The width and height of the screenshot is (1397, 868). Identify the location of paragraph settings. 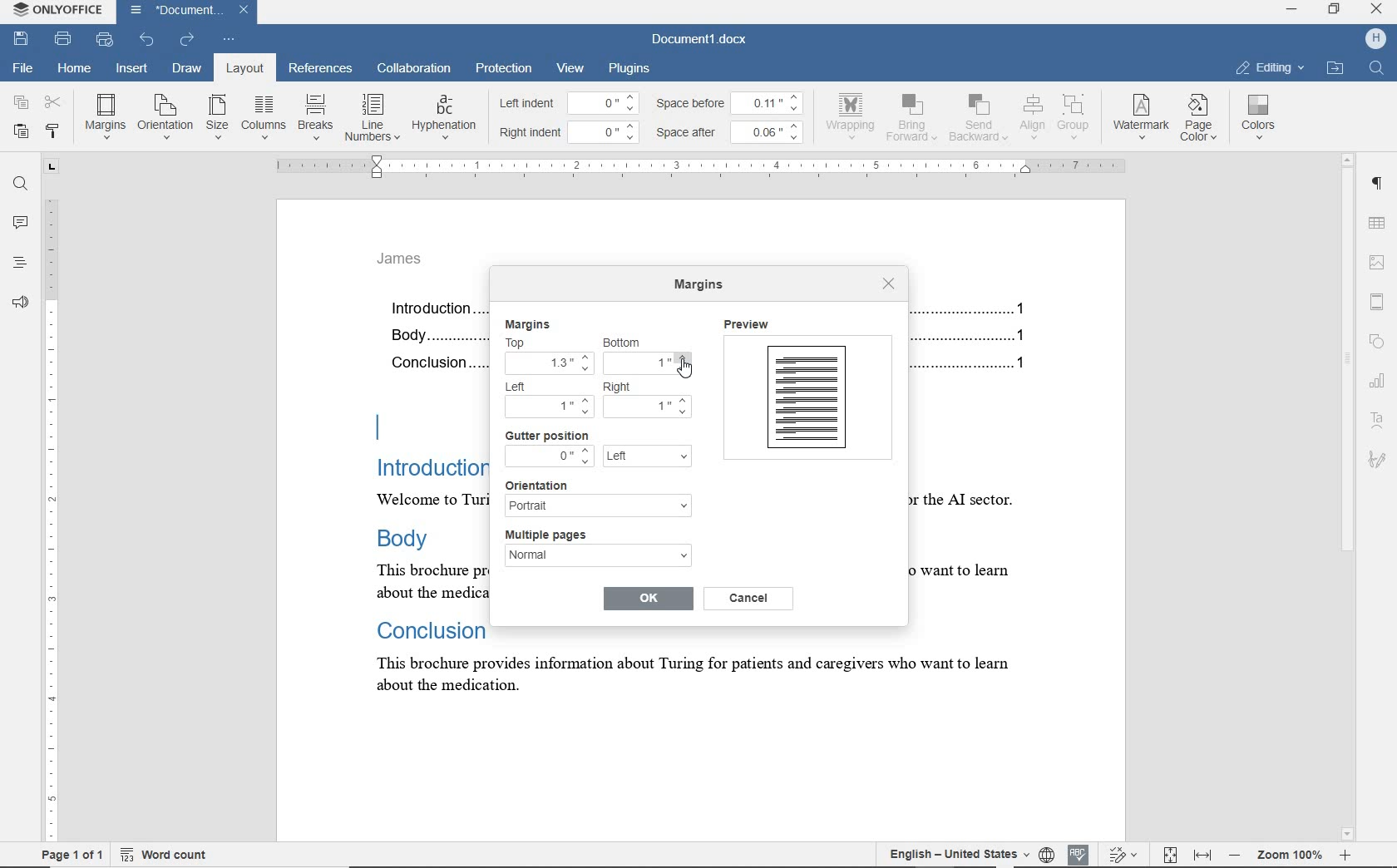
(1380, 187).